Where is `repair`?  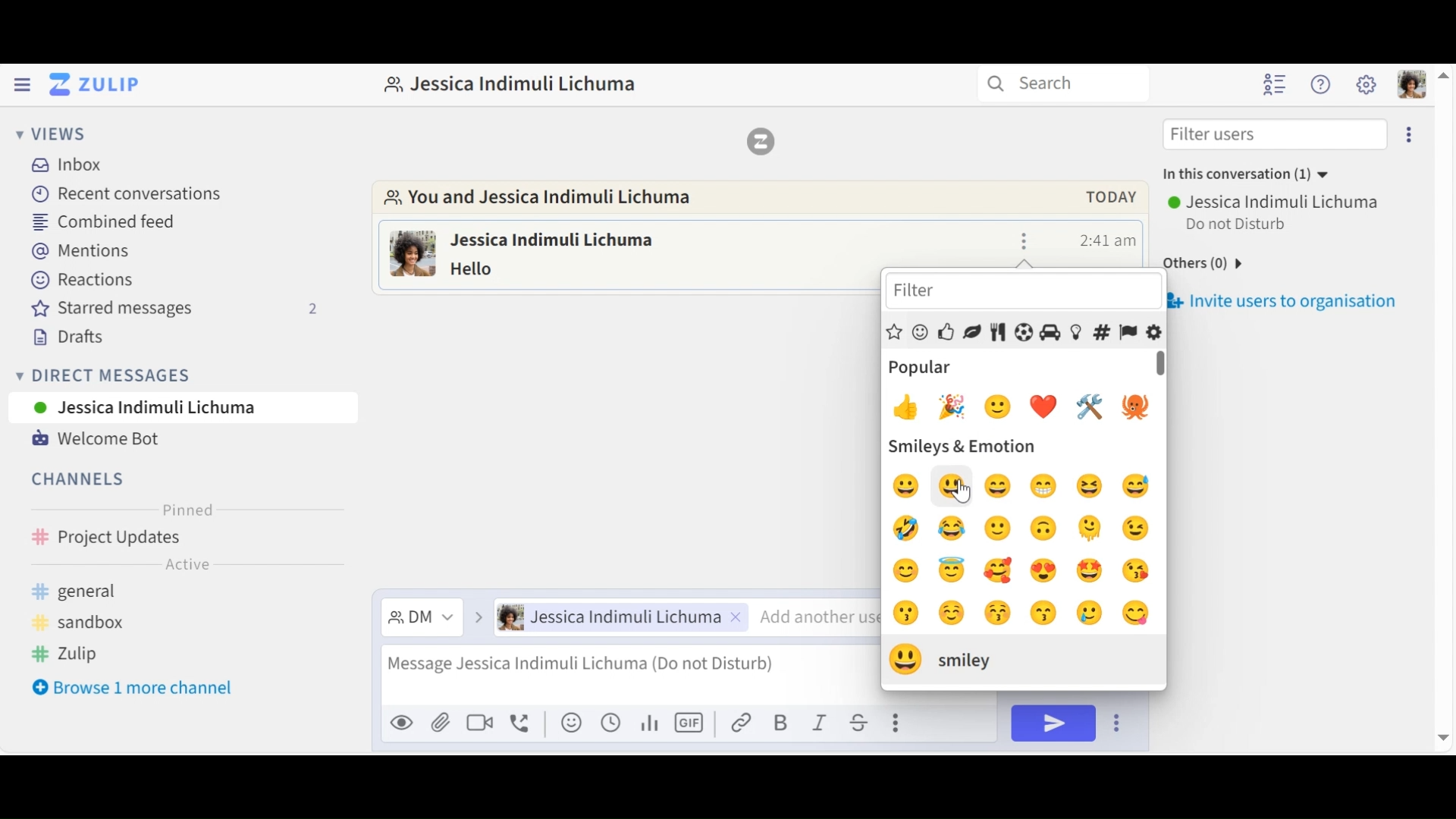
repair is located at coordinates (1096, 408).